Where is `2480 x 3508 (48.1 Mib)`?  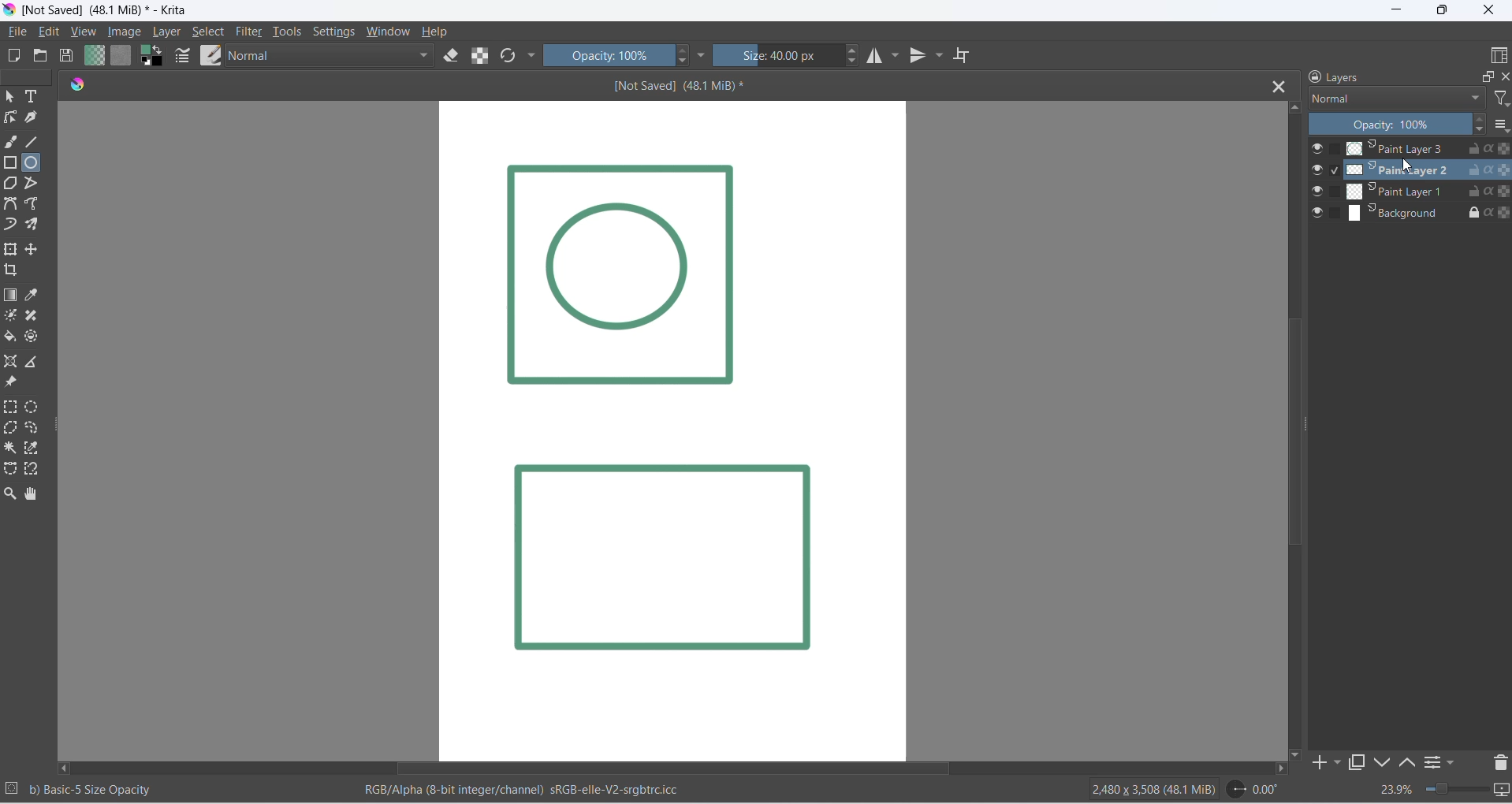 2480 x 3508 (48.1 Mib) is located at coordinates (1141, 791).